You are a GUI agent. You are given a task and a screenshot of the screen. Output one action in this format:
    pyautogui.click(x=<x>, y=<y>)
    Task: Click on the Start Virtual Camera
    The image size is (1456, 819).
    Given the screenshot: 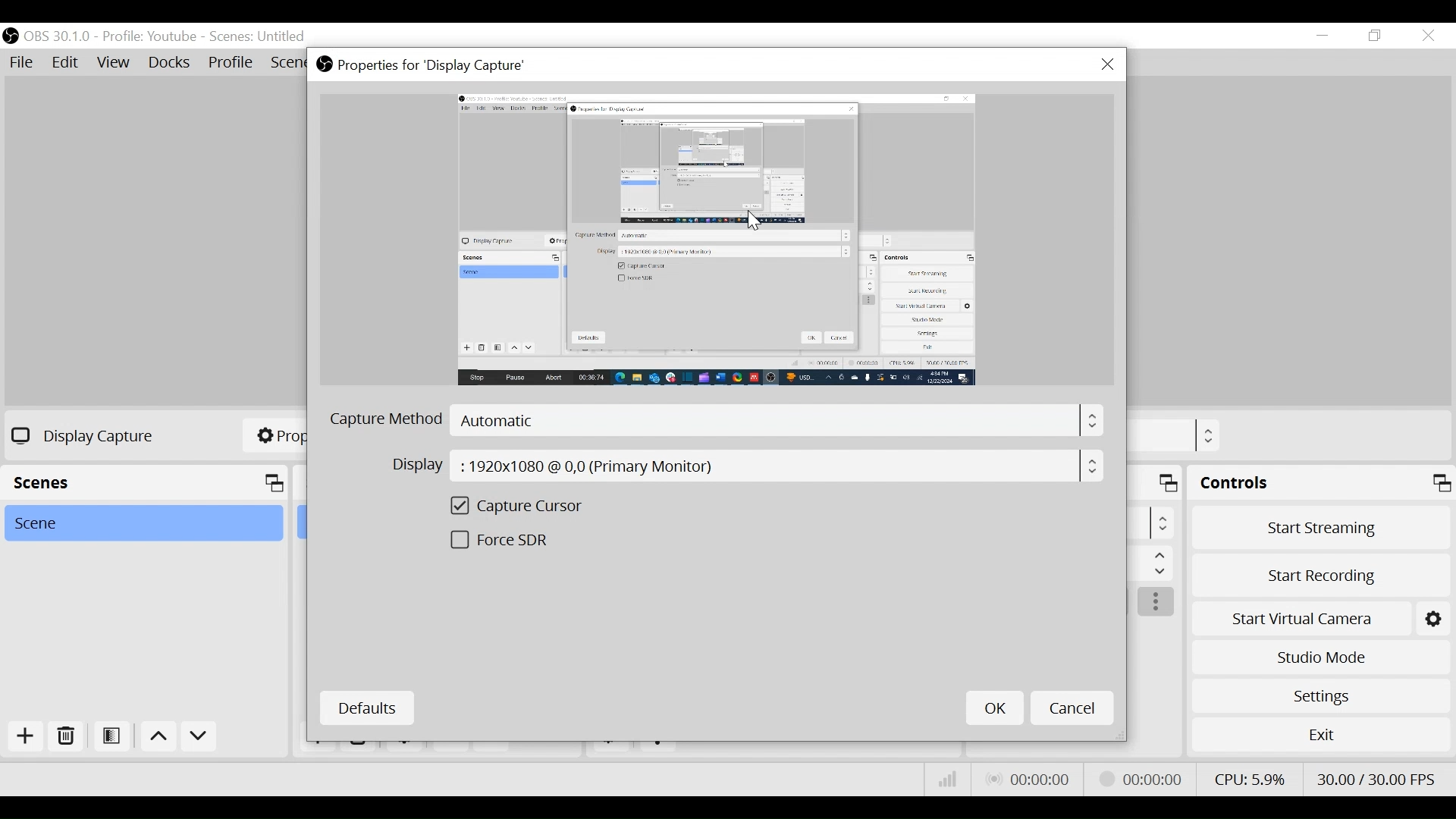 What is the action you would take?
    pyautogui.click(x=1300, y=620)
    